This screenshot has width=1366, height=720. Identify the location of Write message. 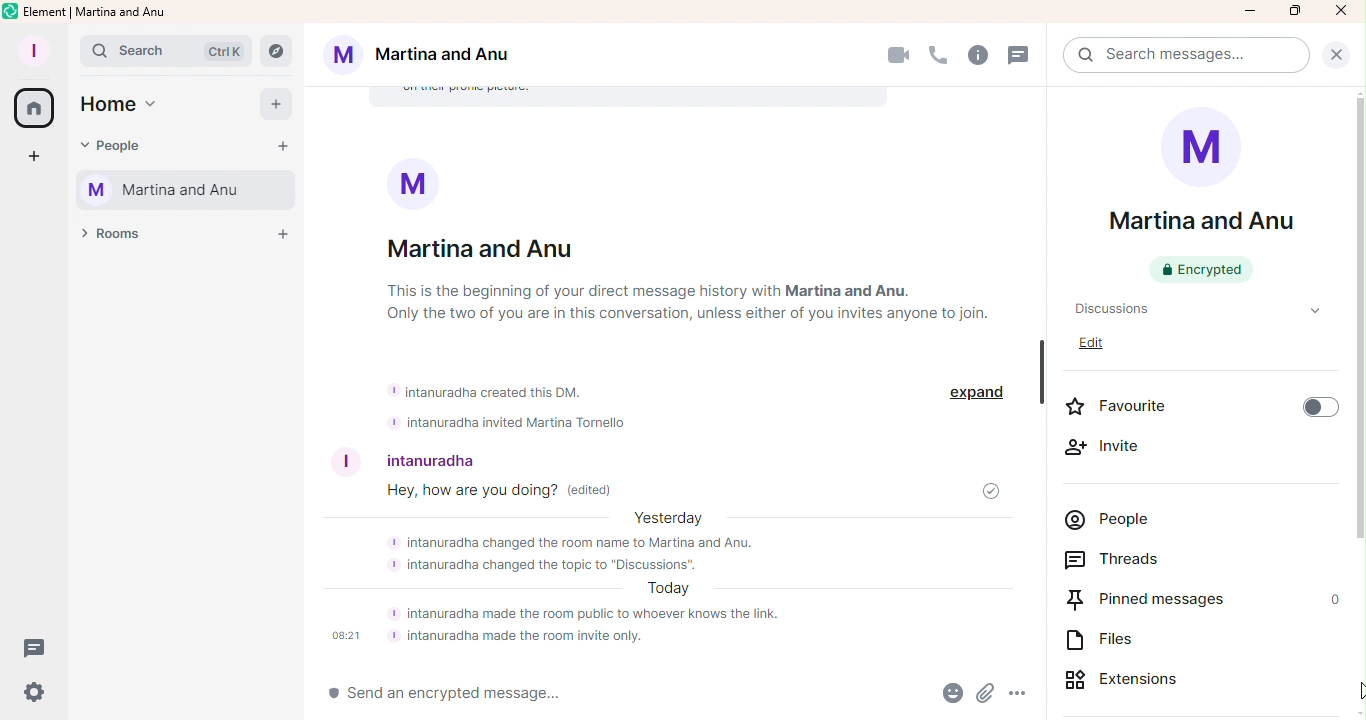
(597, 694).